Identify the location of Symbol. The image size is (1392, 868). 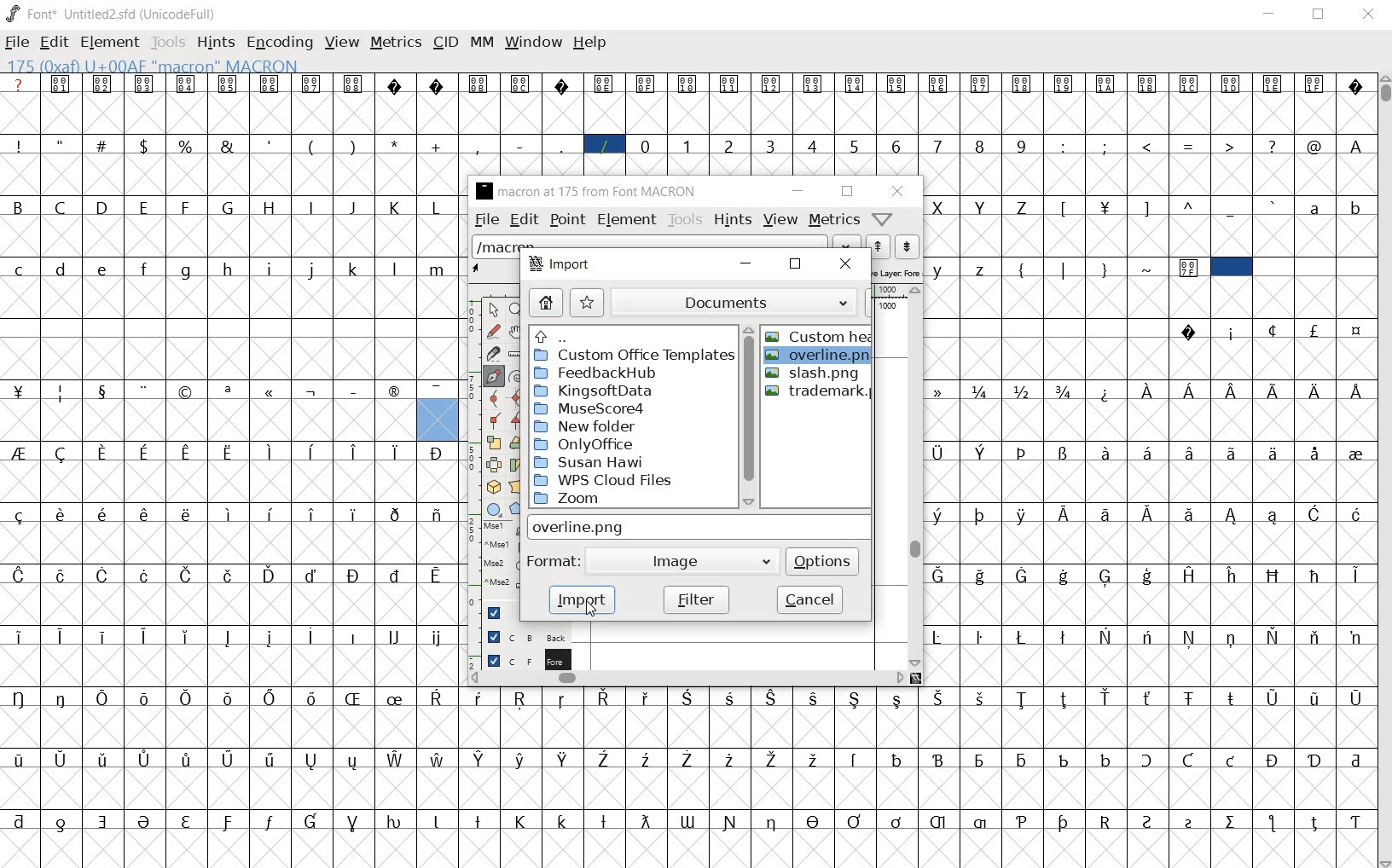
(396, 513).